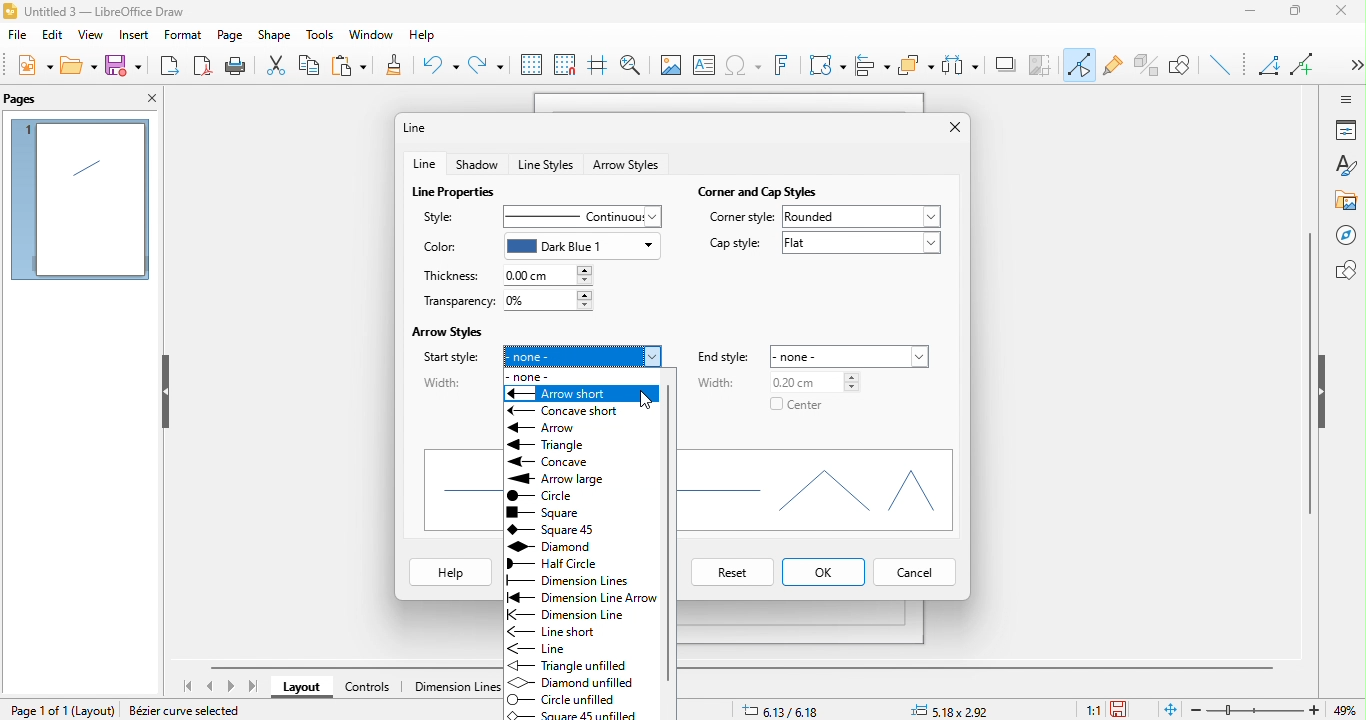 The image size is (1366, 720). Describe the element at coordinates (570, 580) in the screenshot. I see `dimension lines` at that location.